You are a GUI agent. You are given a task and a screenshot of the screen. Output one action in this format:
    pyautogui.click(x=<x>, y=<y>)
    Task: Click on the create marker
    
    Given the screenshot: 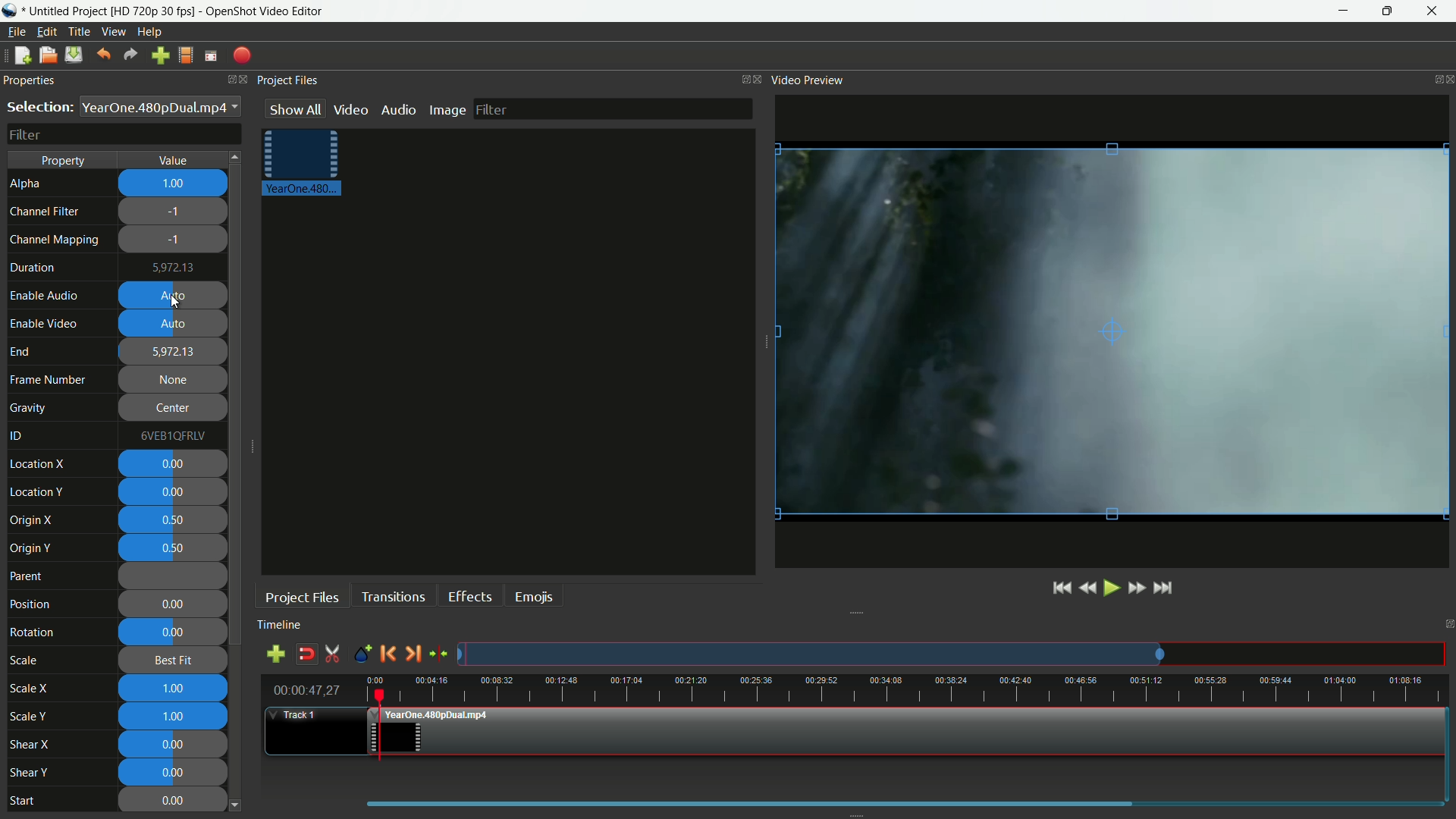 What is the action you would take?
    pyautogui.click(x=361, y=651)
    